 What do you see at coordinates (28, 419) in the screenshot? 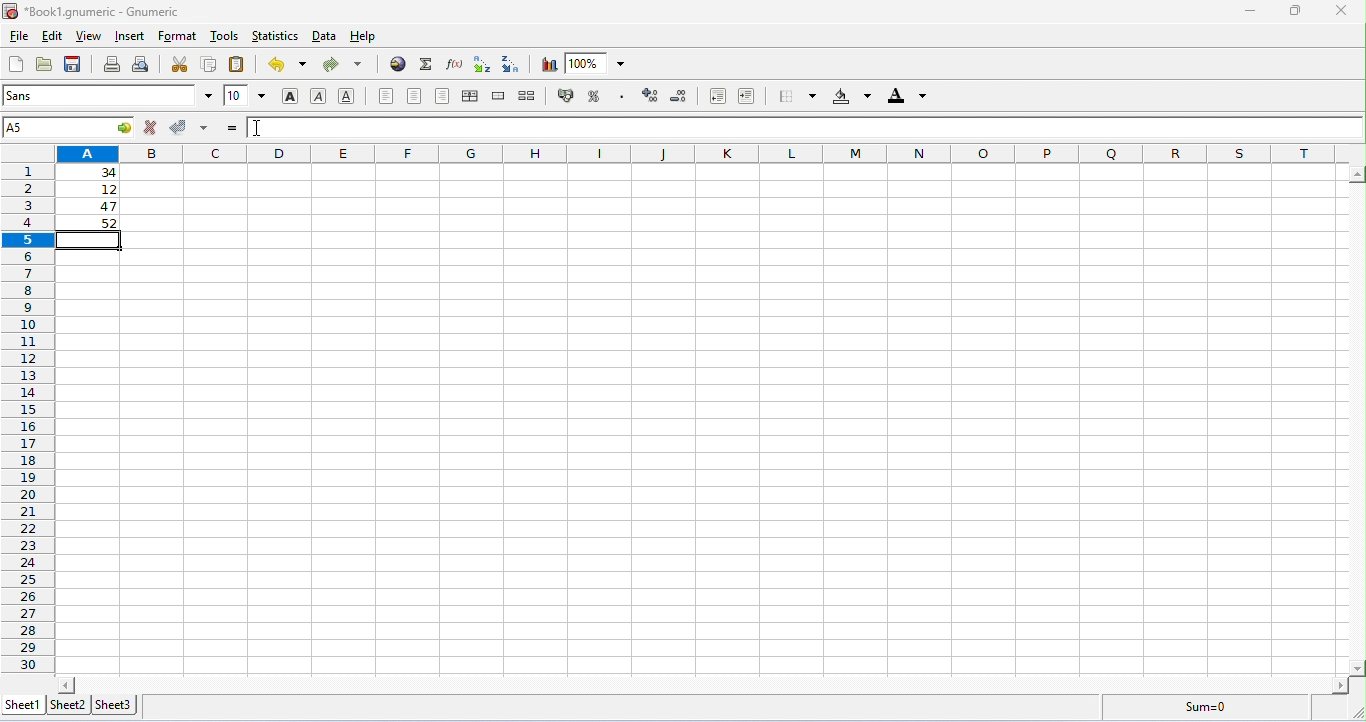
I see `row numbers` at bounding box center [28, 419].